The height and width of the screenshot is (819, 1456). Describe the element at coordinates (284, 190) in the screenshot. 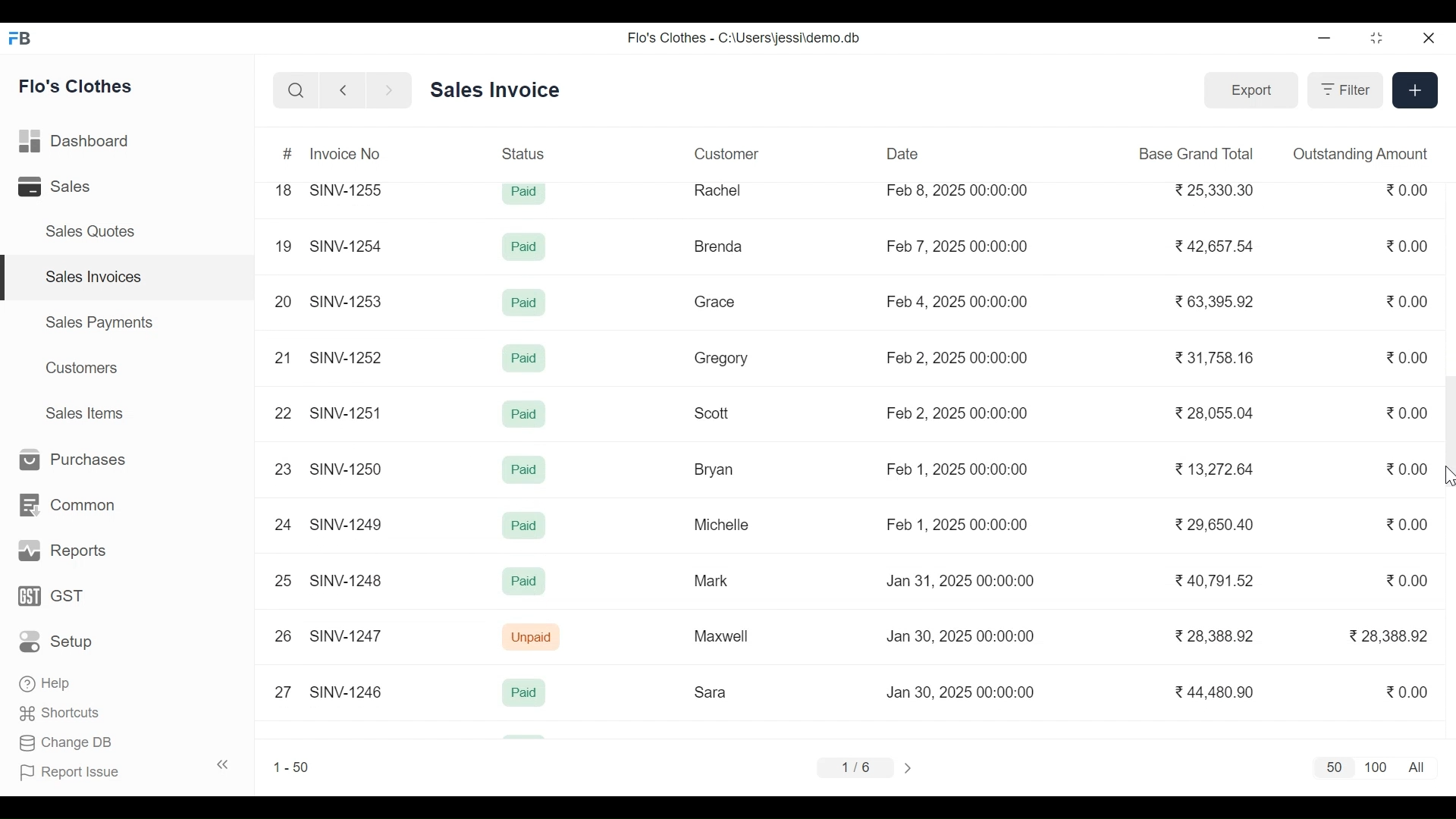

I see `18` at that location.